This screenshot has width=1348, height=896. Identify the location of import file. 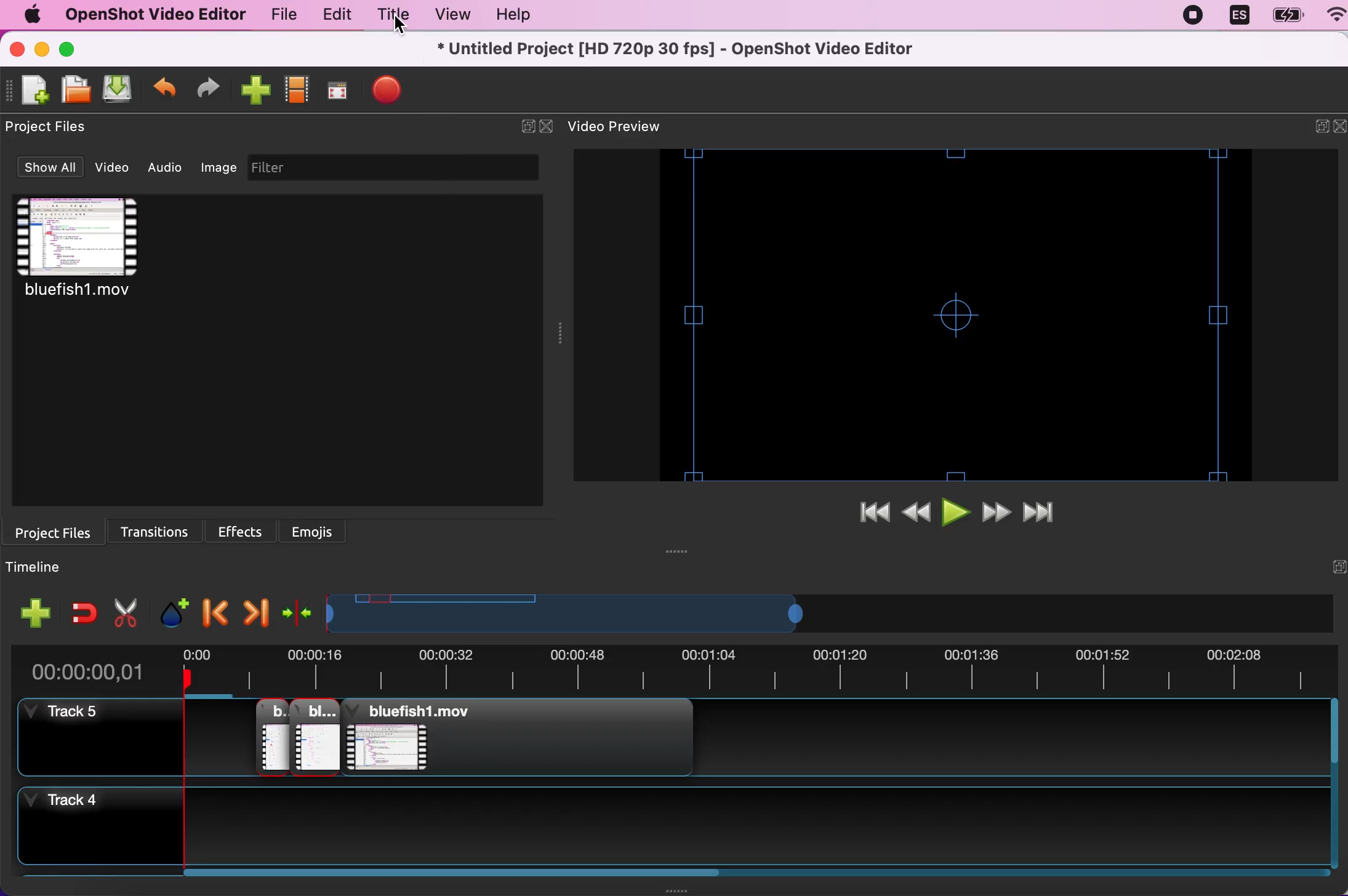
(253, 91).